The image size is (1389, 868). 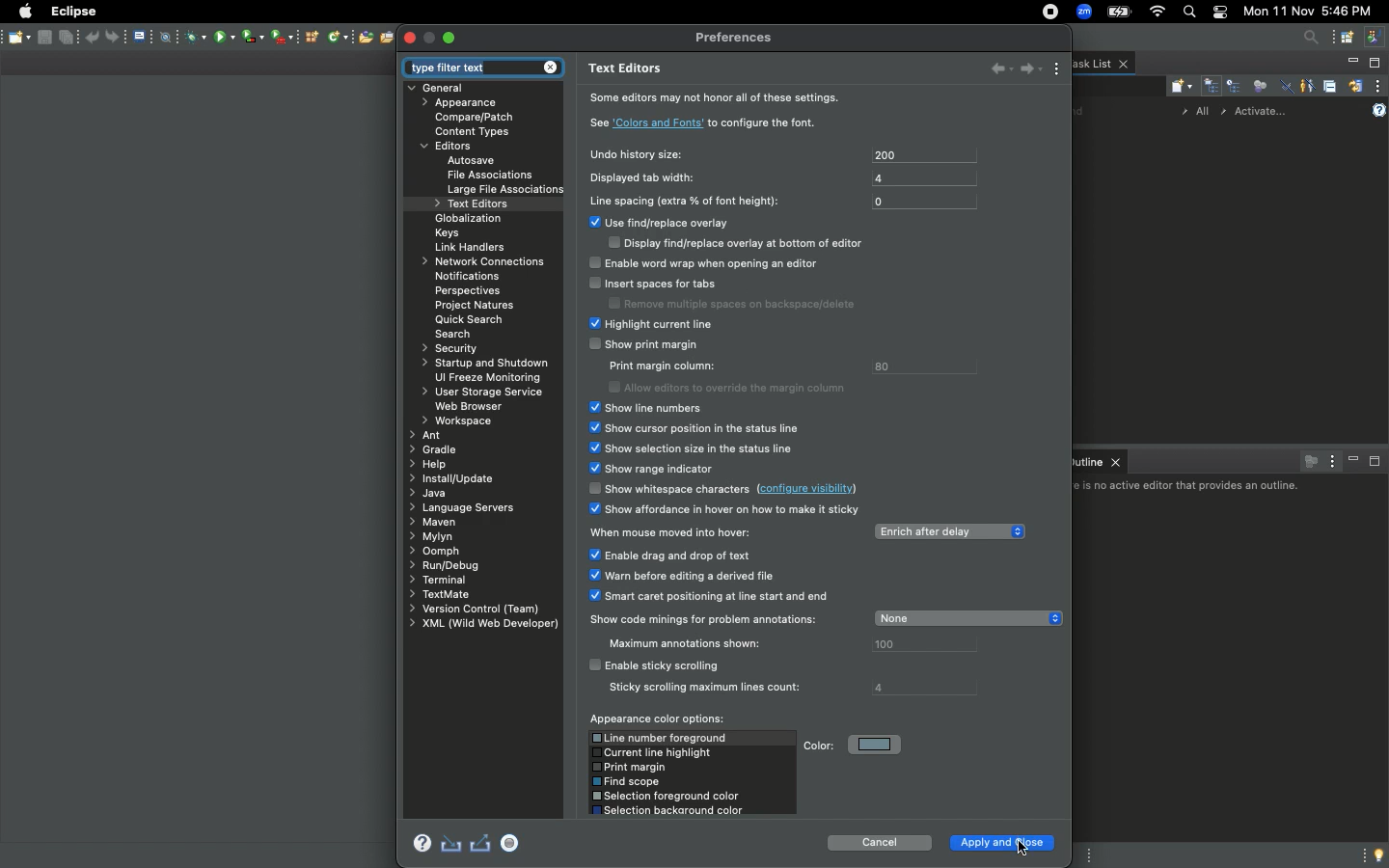 What do you see at coordinates (192, 36) in the screenshot?
I see `Antivirus` at bounding box center [192, 36].